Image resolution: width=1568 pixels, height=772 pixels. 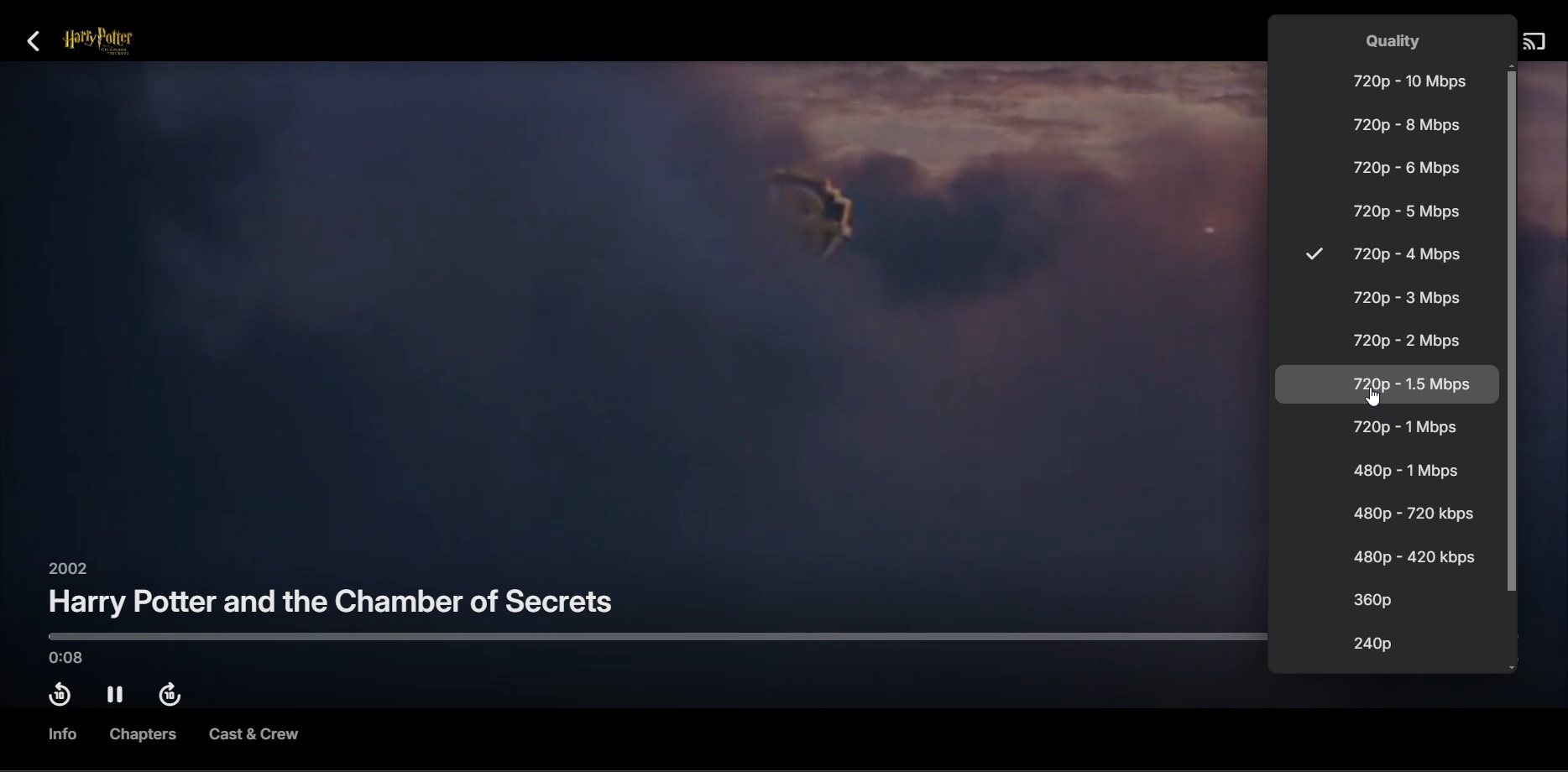 What do you see at coordinates (253, 737) in the screenshot?
I see `Cast and Crew` at bounding box center [253, 737].